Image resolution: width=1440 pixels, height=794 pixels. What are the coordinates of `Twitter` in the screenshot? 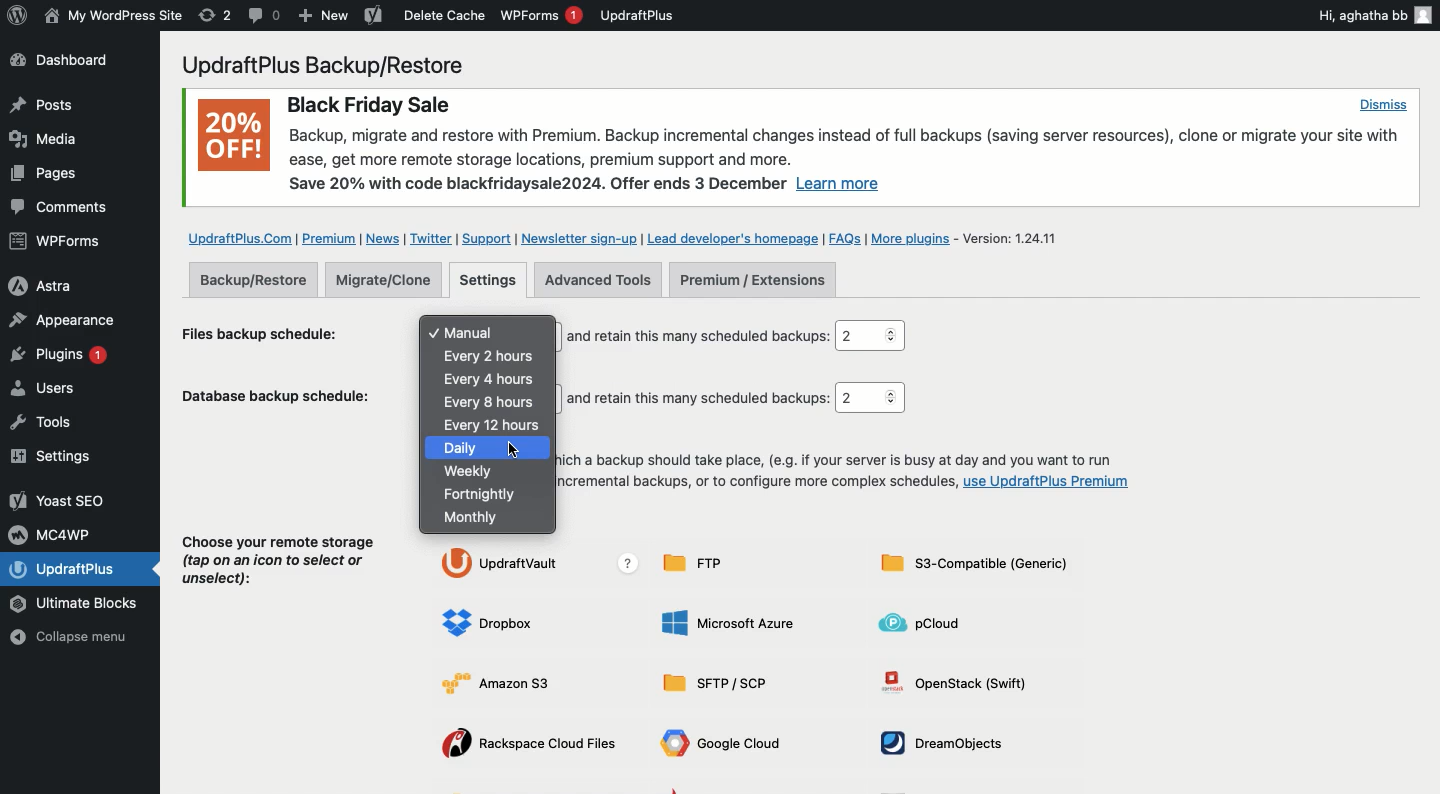 It's located at (431, 239).